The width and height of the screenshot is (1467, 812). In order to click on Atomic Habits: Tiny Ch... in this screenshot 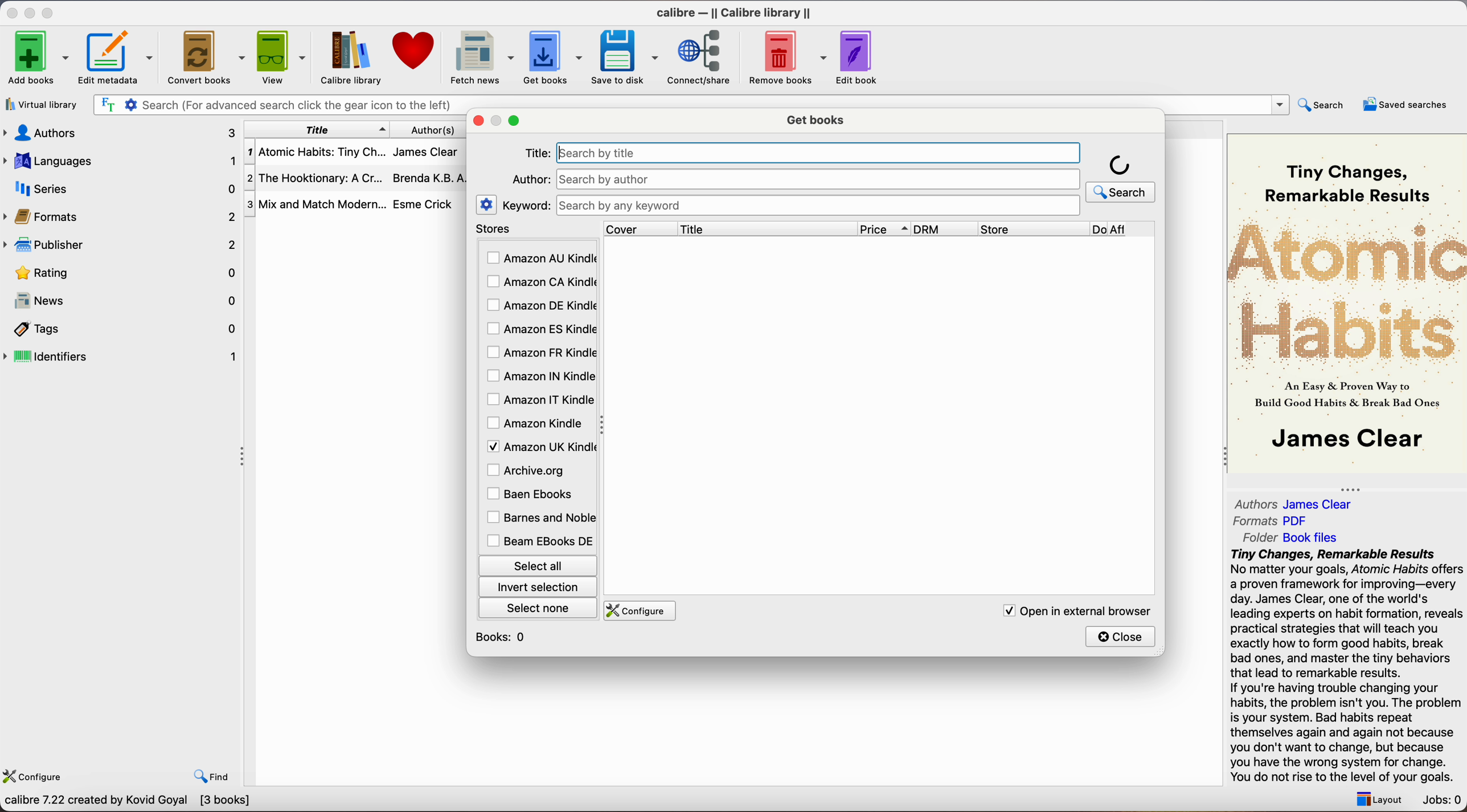, I will do `click(315, 153)`.